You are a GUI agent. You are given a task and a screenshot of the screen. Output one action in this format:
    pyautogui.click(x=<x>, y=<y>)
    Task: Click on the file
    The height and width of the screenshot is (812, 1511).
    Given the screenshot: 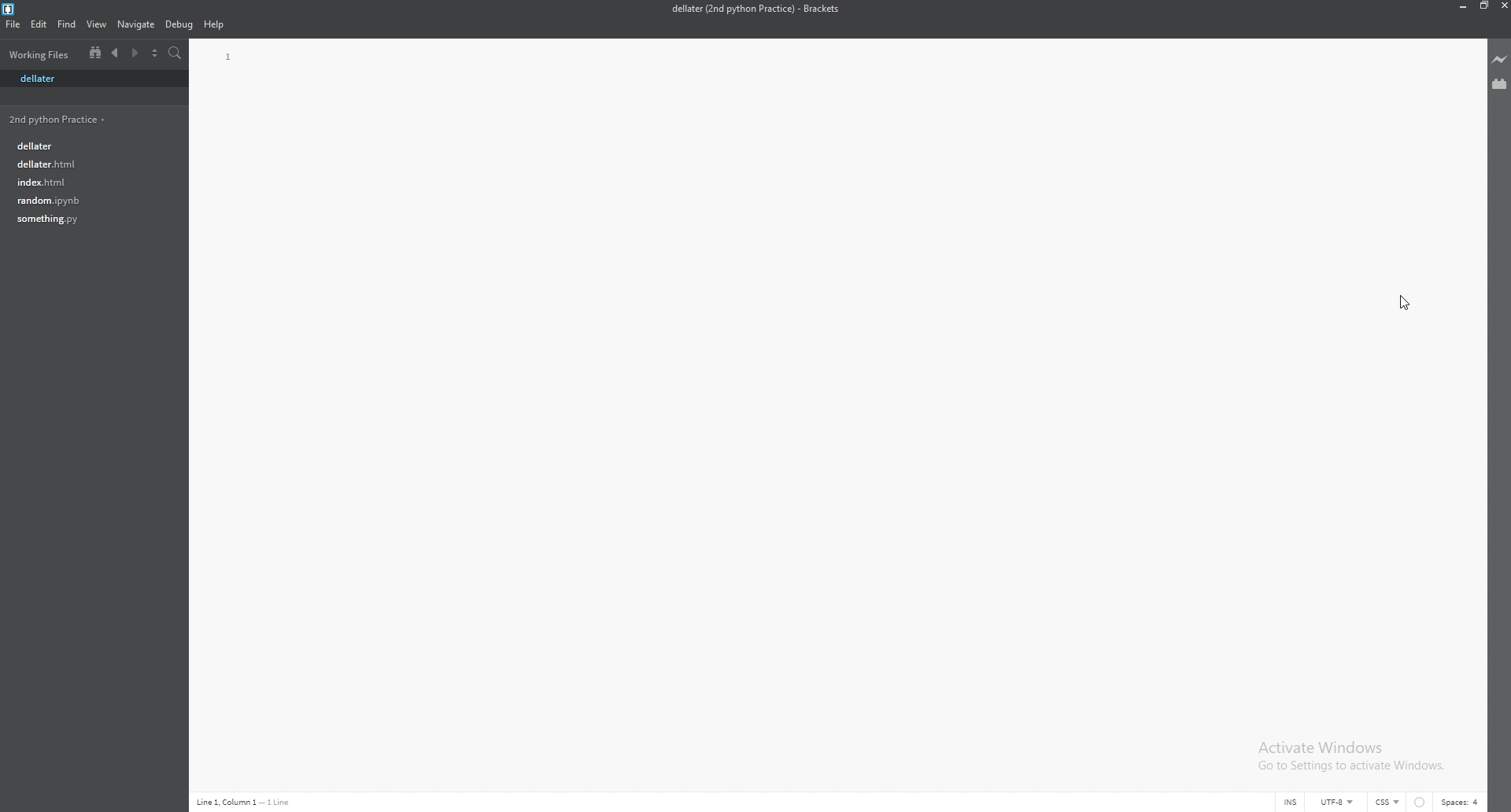 What is the action you would take?
    pyautogui.click(x=89, y=144)
    